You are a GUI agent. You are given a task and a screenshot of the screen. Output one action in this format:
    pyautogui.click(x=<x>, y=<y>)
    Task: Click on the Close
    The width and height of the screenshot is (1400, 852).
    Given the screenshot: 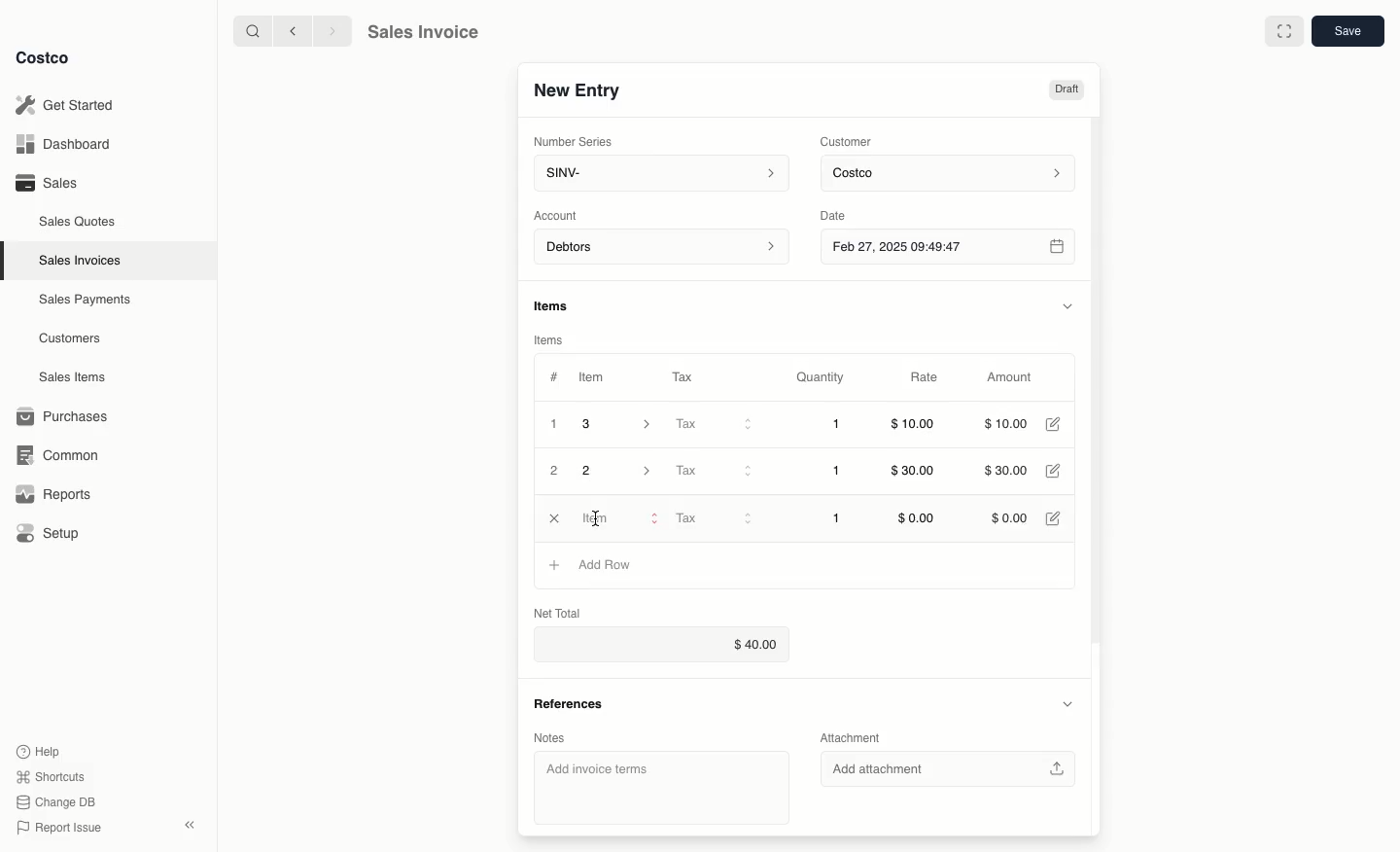 What is the action you would take?
    pyautogui.click(x=552, y=518)
    